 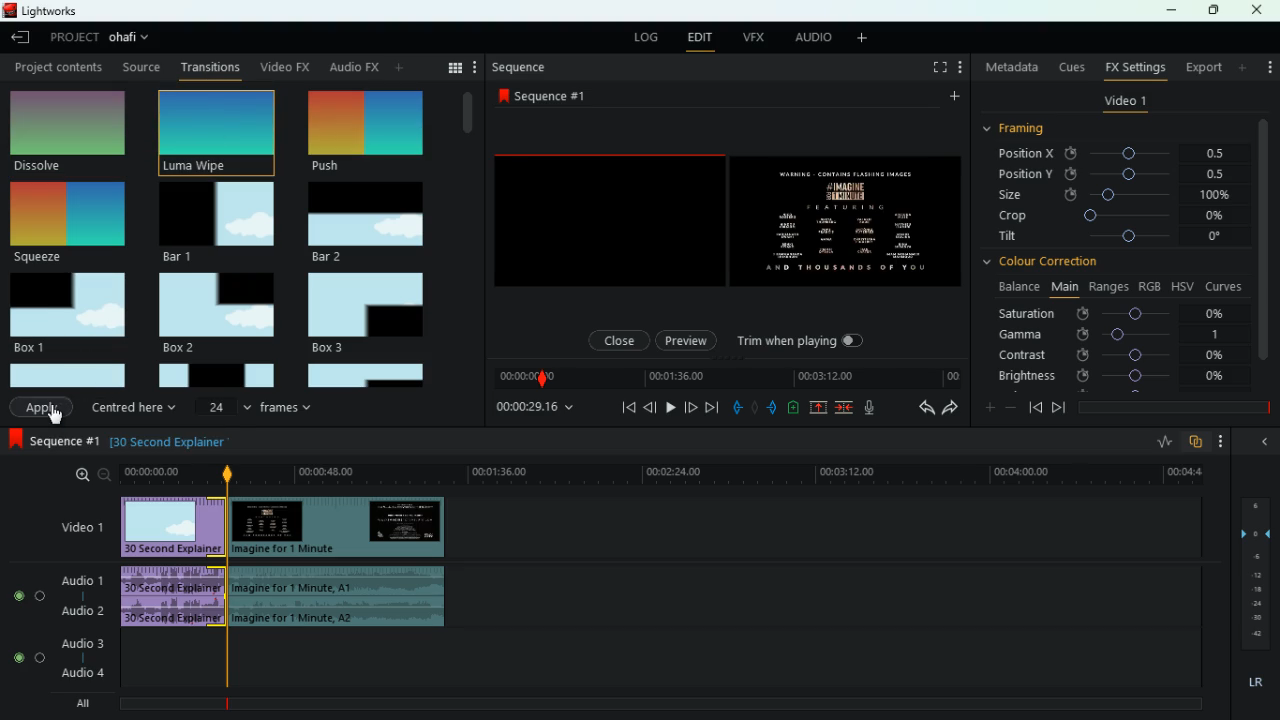 What do you see at coordinates (686, 338) in the screenshot?
I see `preview` at bounding box center [686, 338].